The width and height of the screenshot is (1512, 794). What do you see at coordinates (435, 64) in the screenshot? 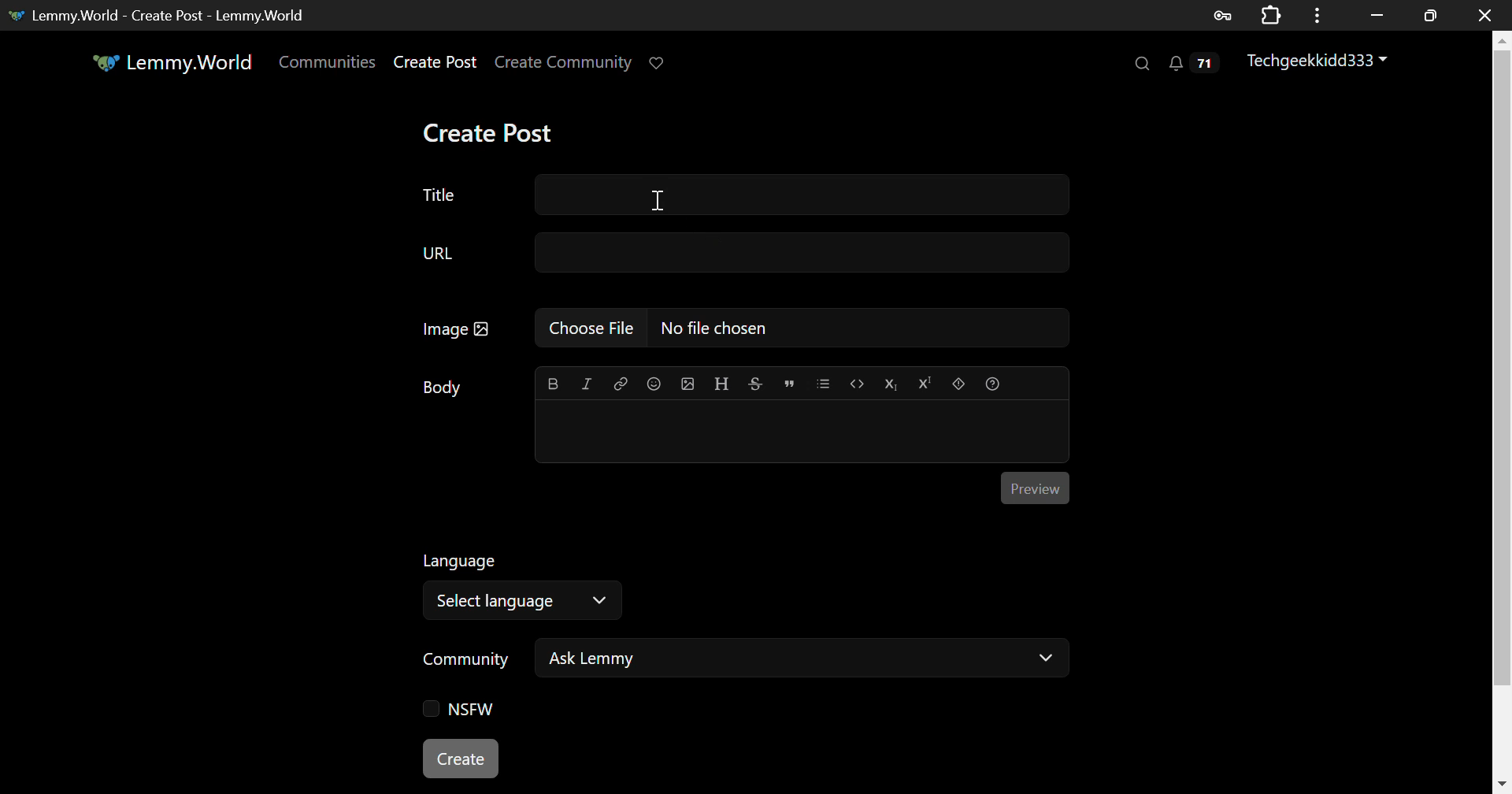
I see `Create Post` at bounding box center [435, 64].